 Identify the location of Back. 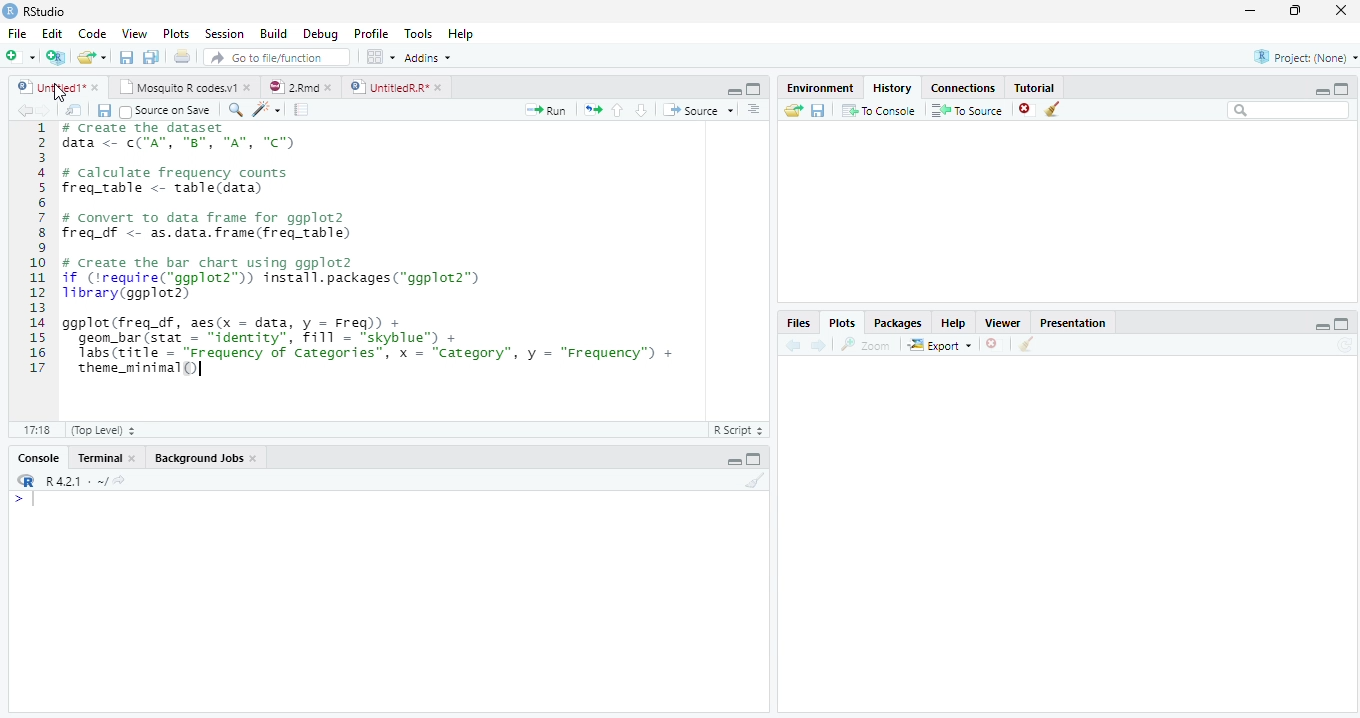
(23, 110).